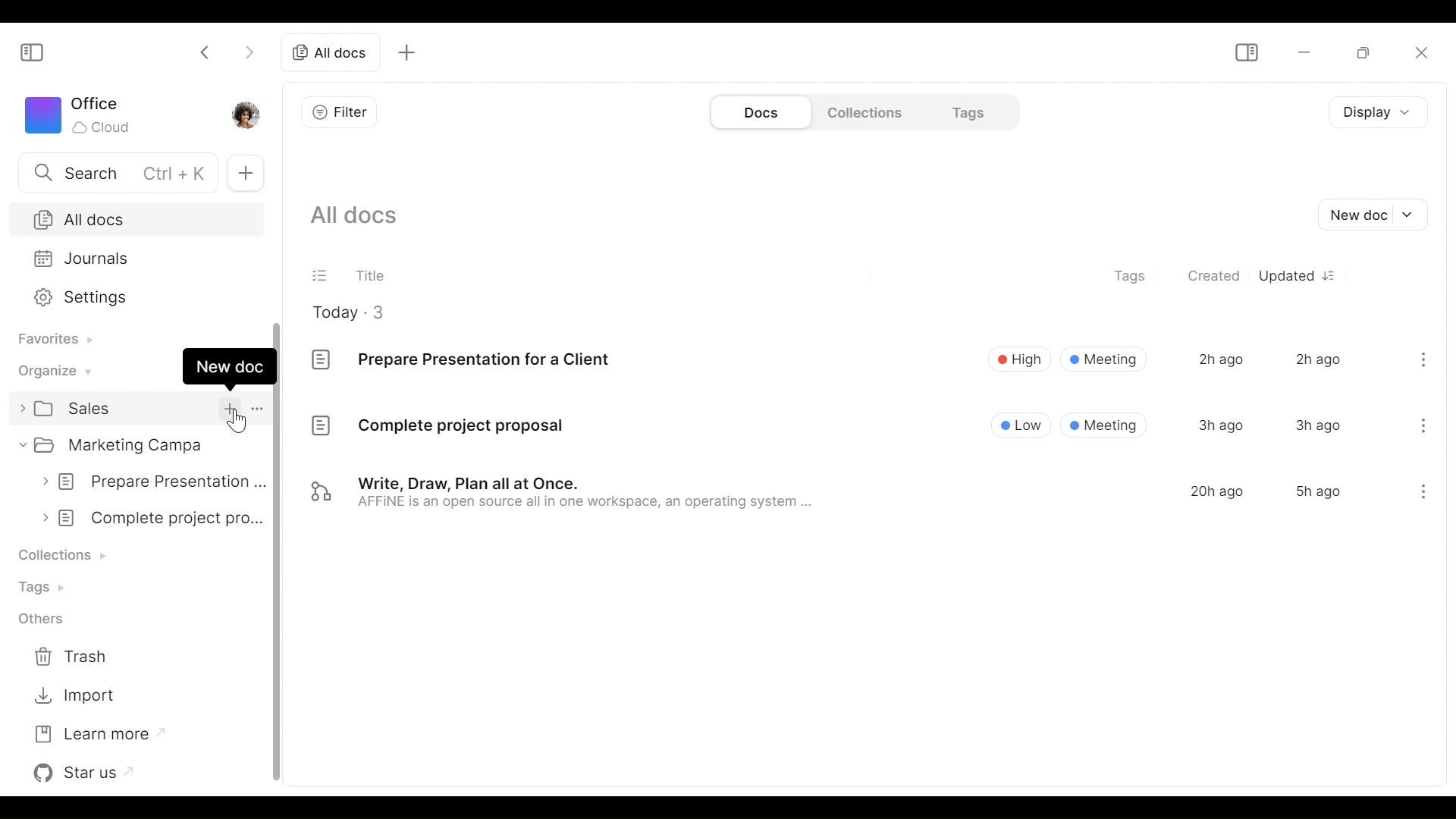 This screenshot has width=1456, height=819. I want to click on 2h ago, so click(1318, 358).